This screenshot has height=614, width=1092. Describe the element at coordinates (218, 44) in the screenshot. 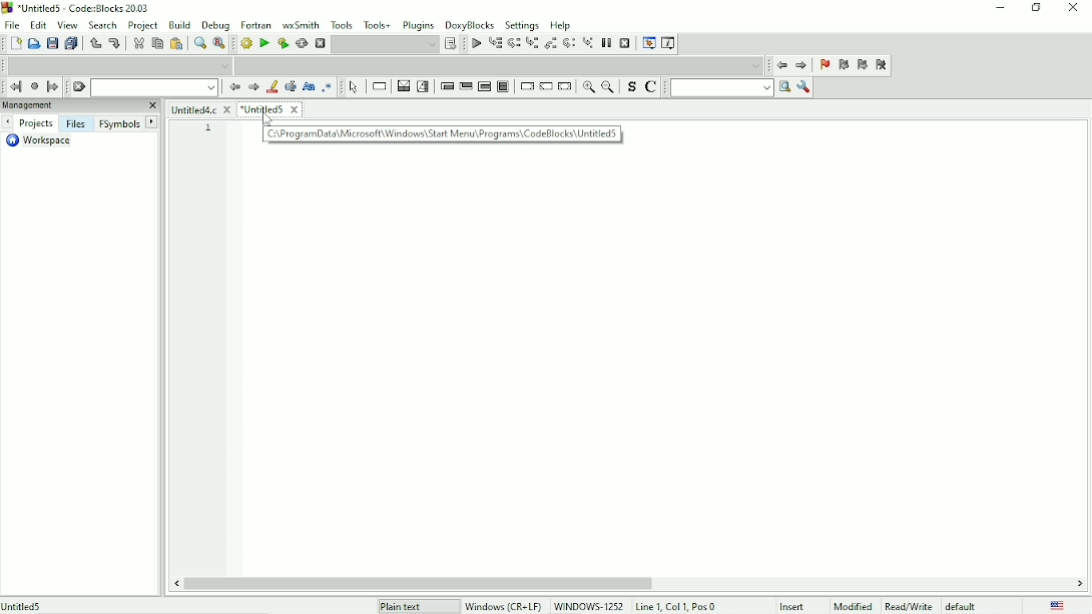

I see `Replace` at that location.